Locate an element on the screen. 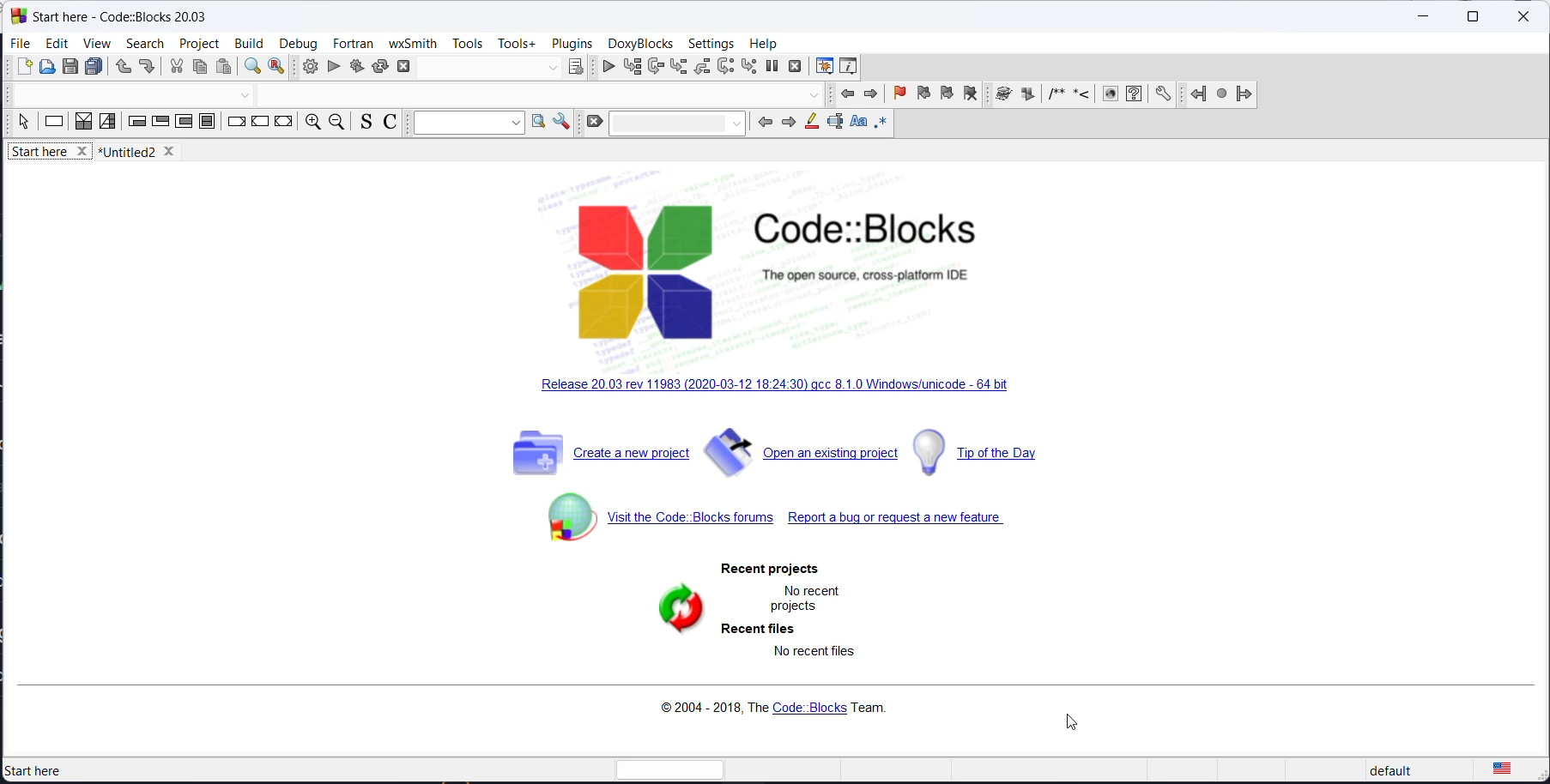  forum is located at coordinates (651, 525).